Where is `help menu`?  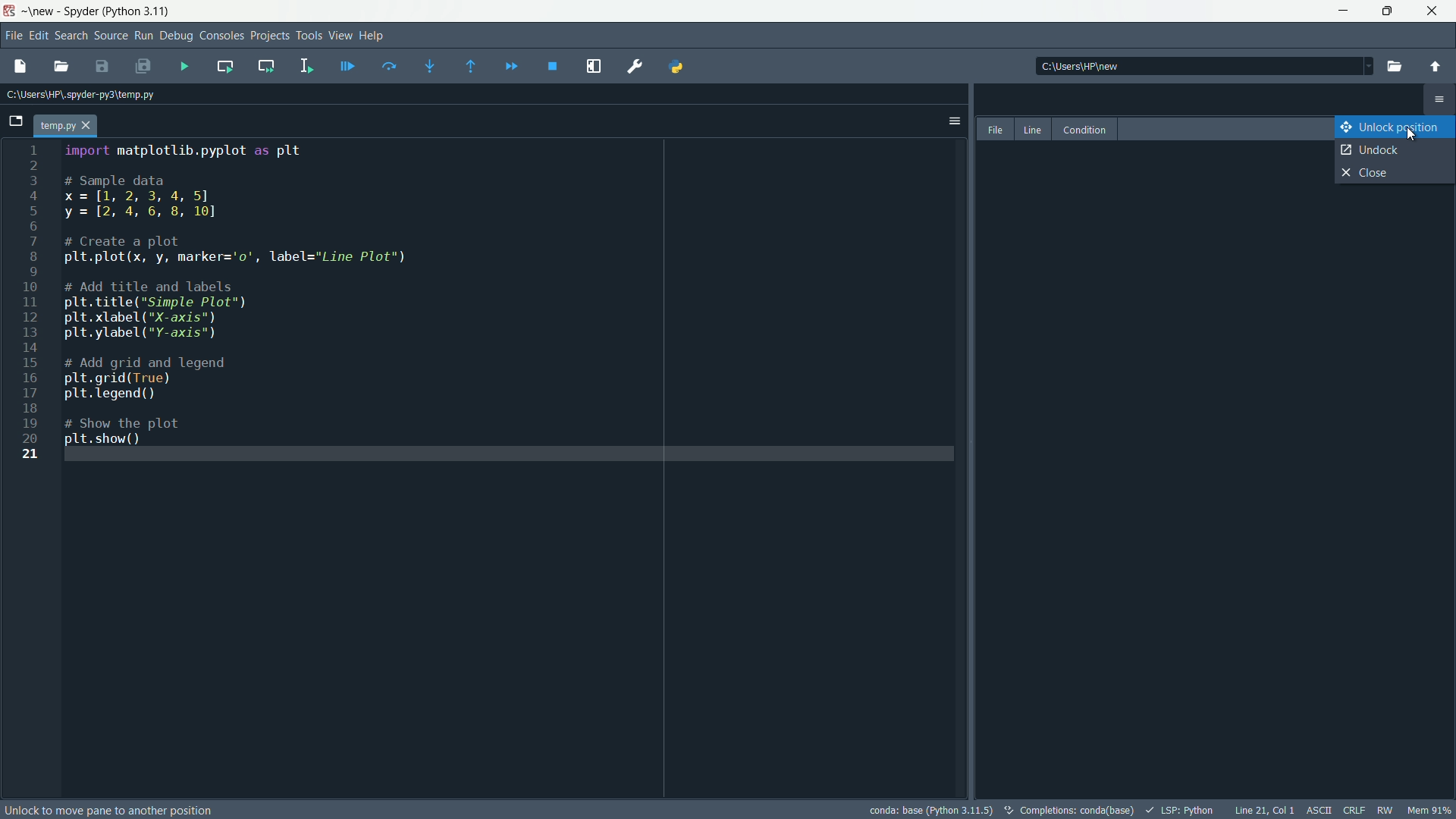
help menu is located at coordinates (373, 36).